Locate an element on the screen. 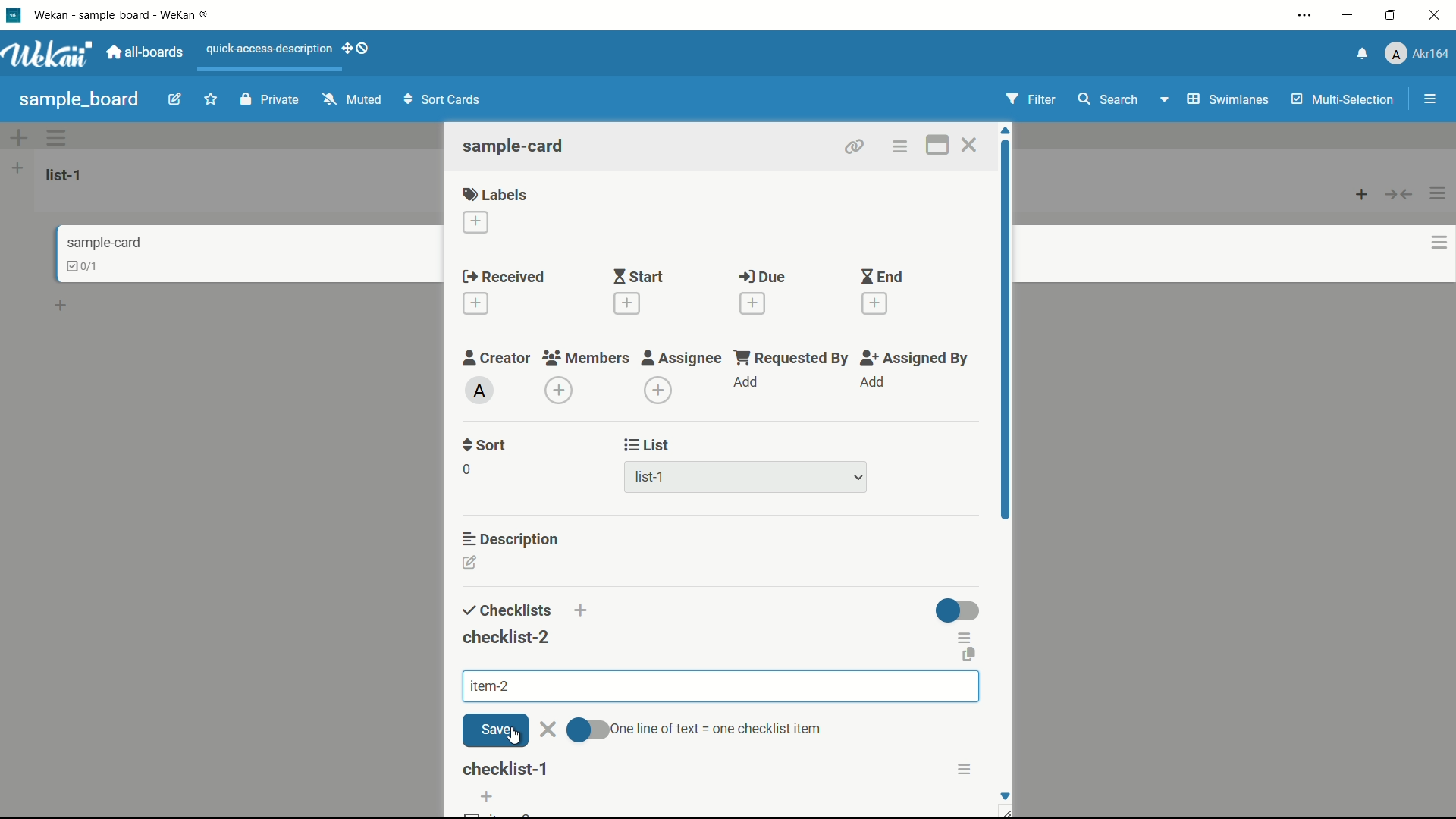 The width and height of the screenshot is (1456, 819). list-1 is located at coordinates (67, 174).